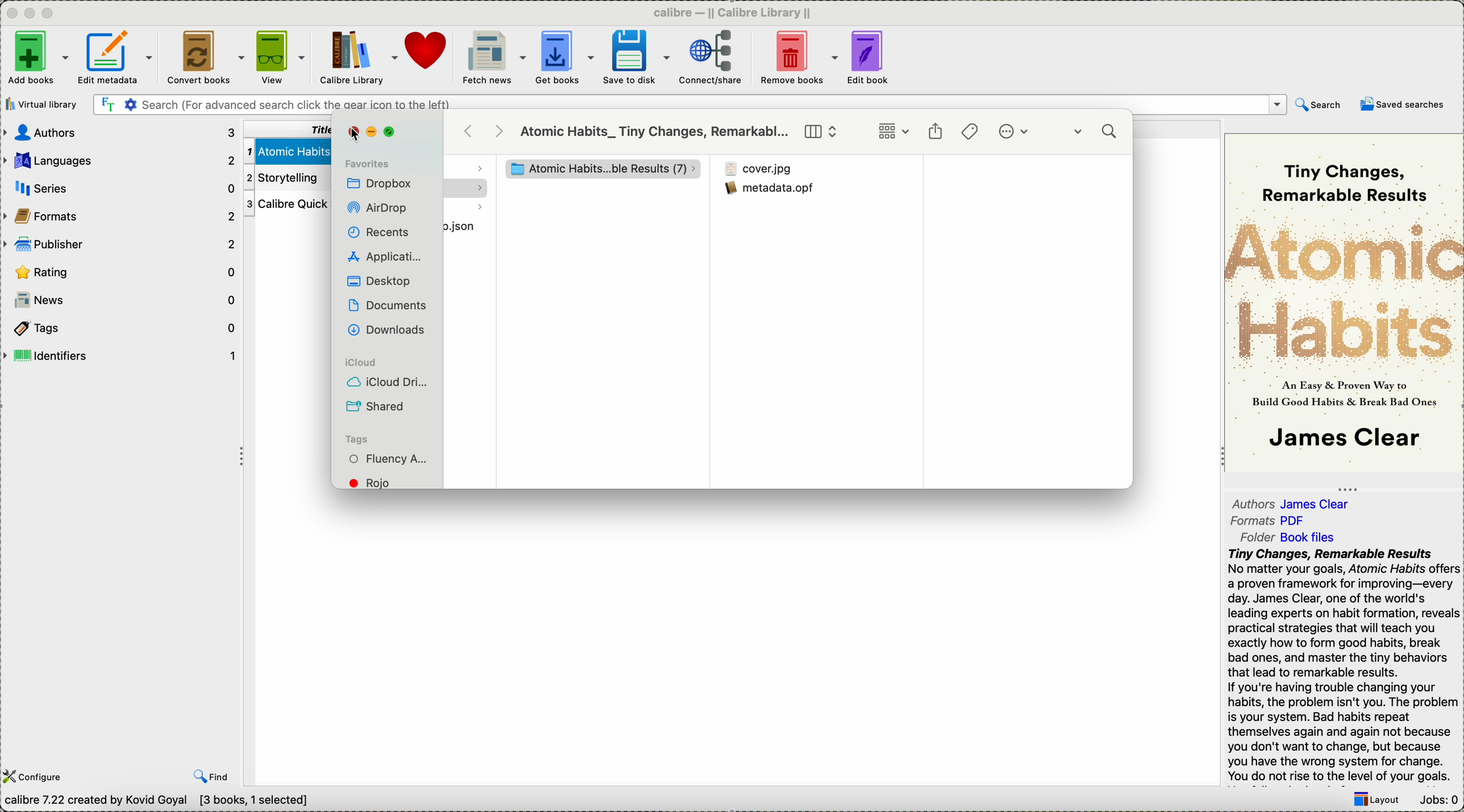  What do you see at coordinates (798, 59) in the screenshot?
I see `remove books` at bounding box center [798, 59].